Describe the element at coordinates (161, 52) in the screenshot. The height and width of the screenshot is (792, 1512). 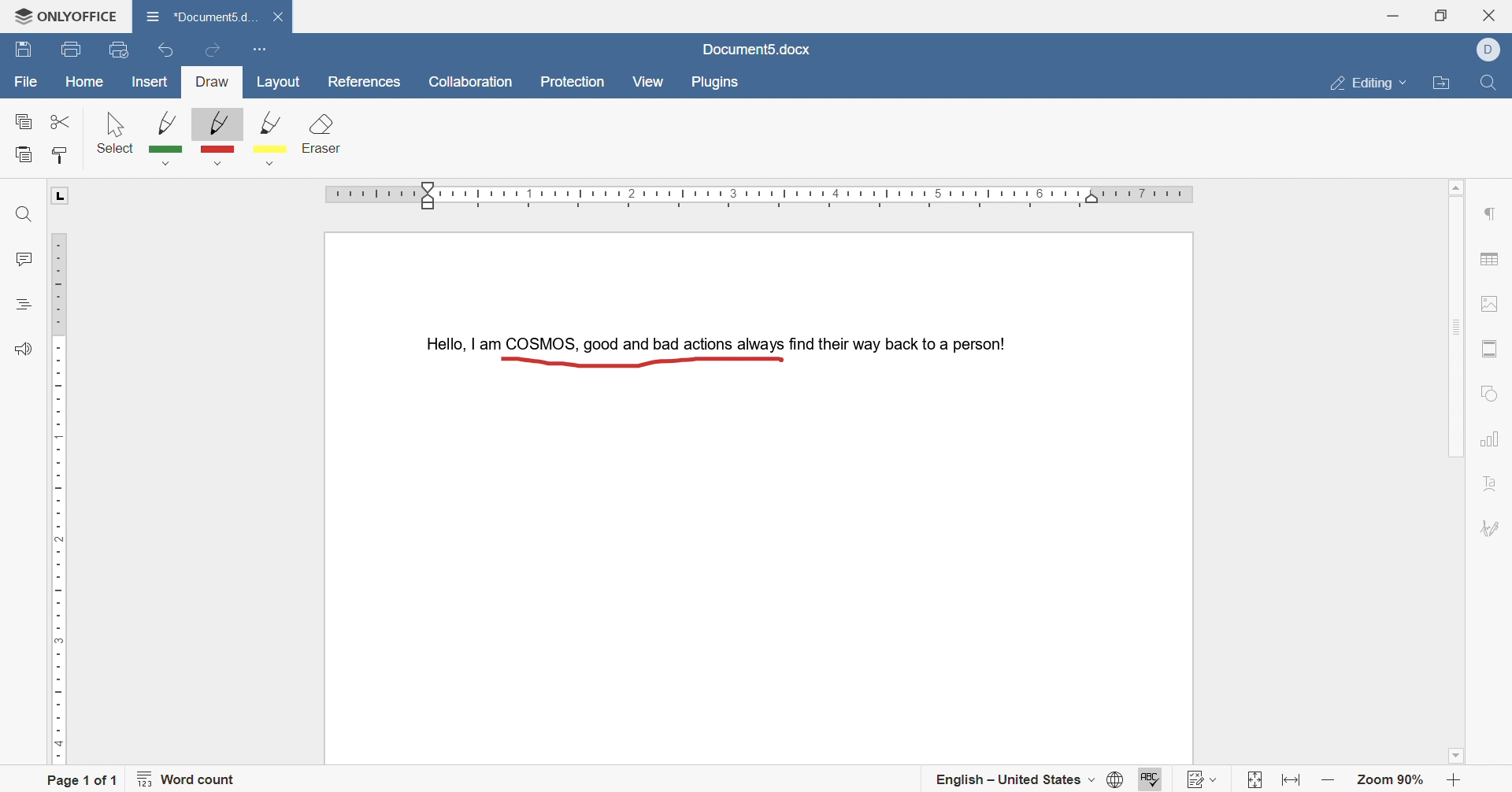
I see `undo` at that location.